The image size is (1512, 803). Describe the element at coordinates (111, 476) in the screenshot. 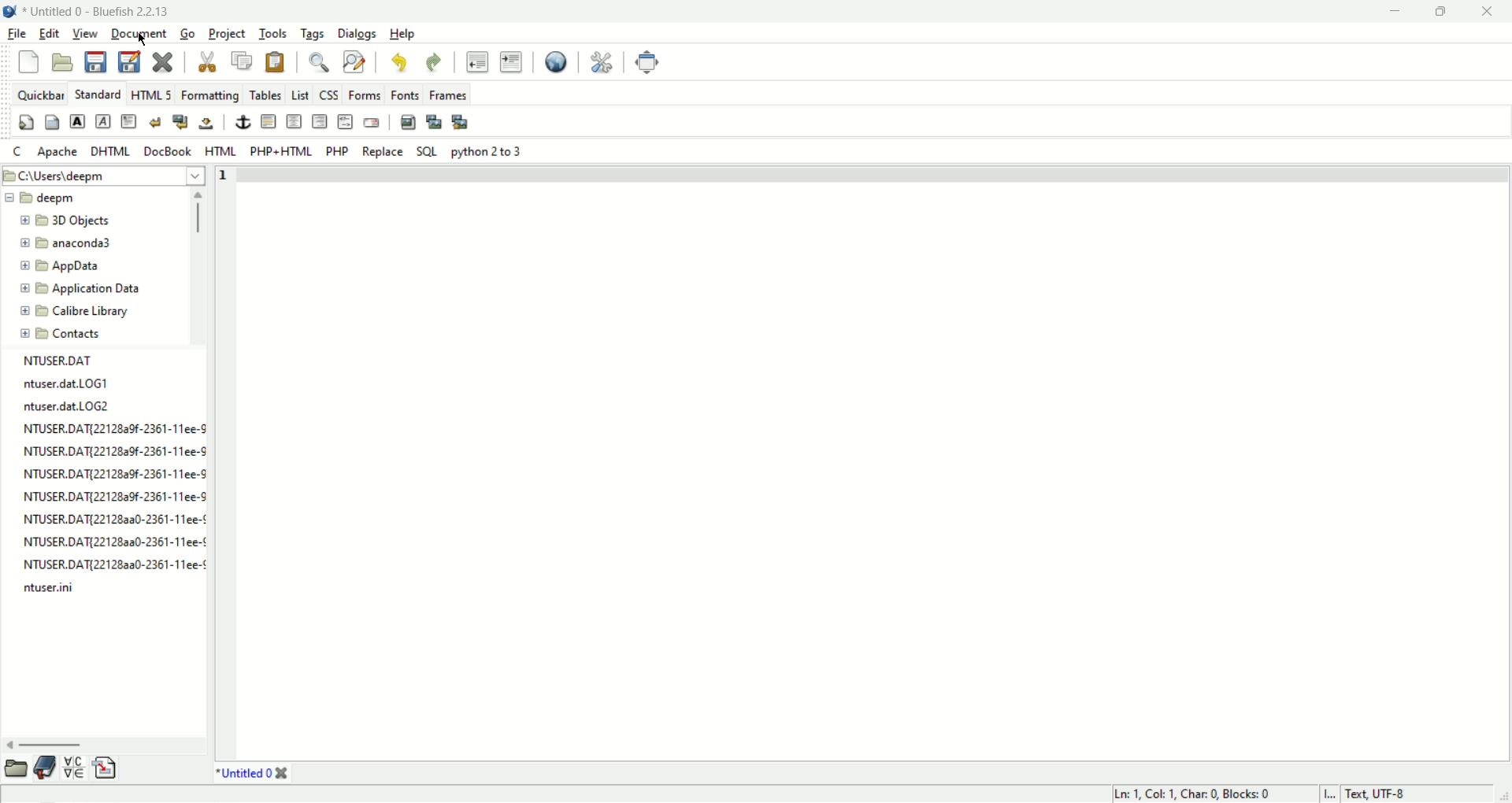

I see `file list` at that location.